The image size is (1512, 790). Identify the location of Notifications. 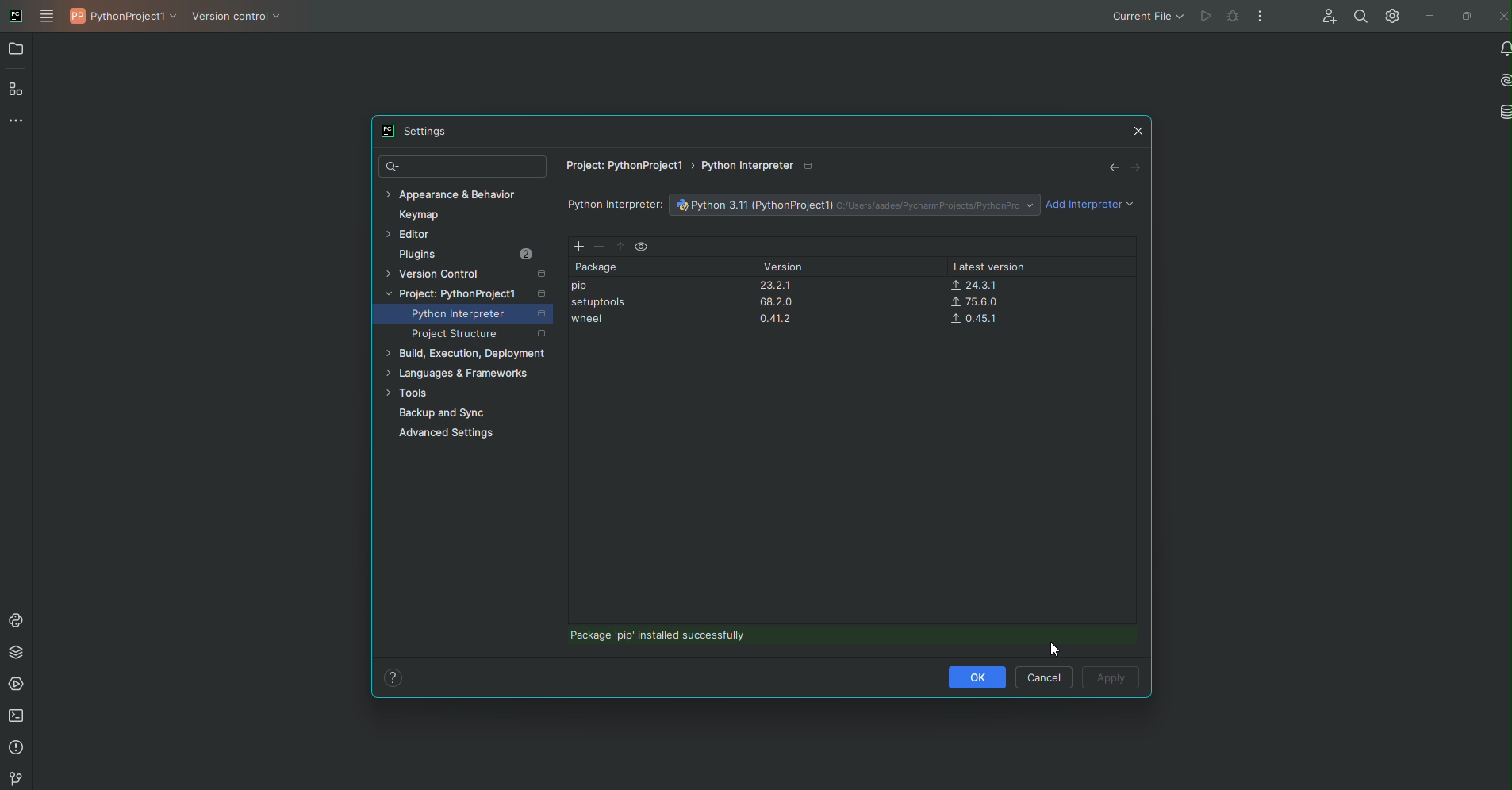
(1502, 48).